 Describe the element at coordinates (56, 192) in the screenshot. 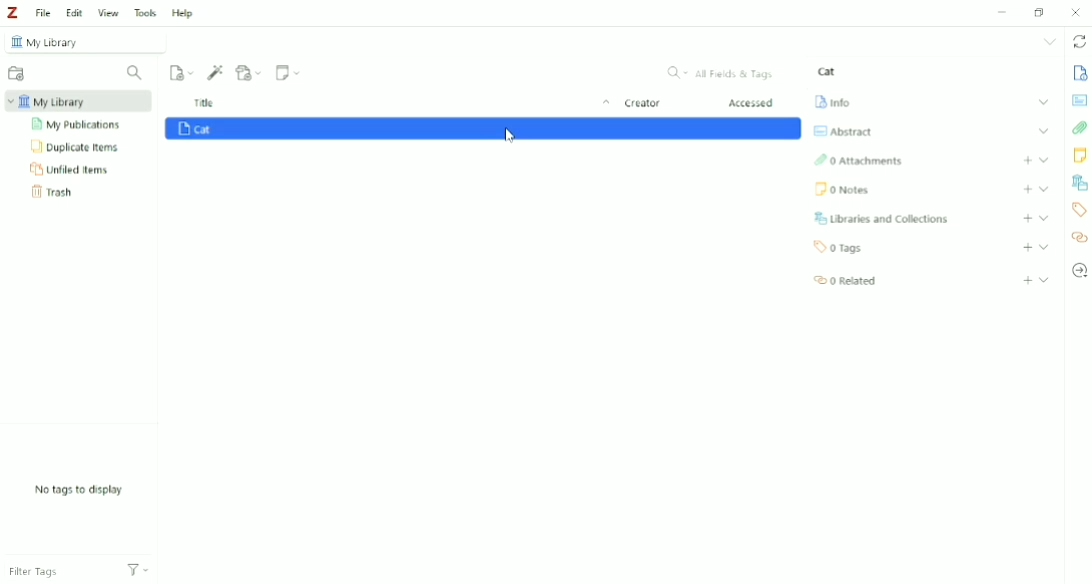

I see `Trash` at that location.